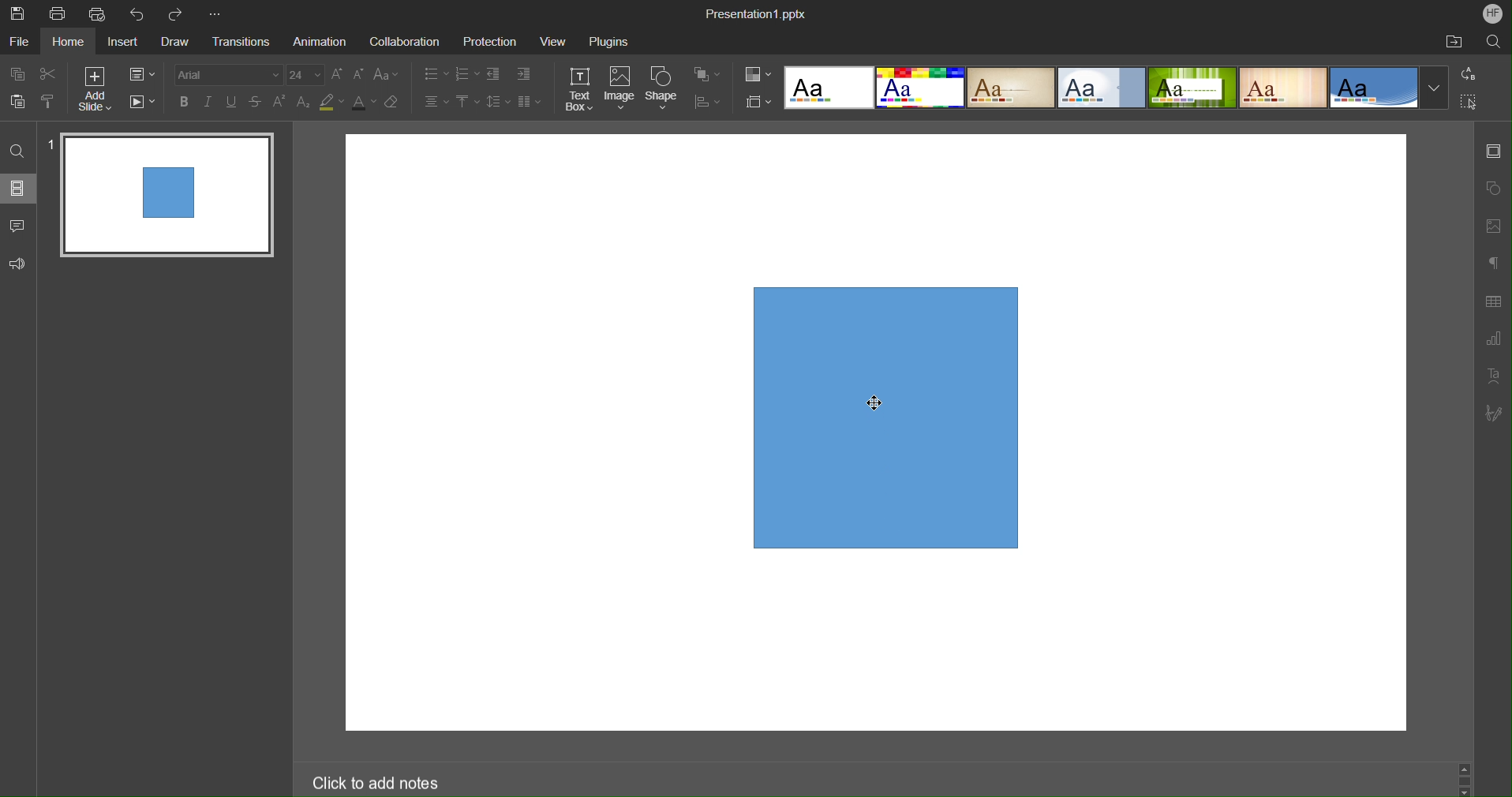 Image resolution: width=1512 pixels, height=797 pixels. I want to click on Paragraph Settings, so click(1491, 263).